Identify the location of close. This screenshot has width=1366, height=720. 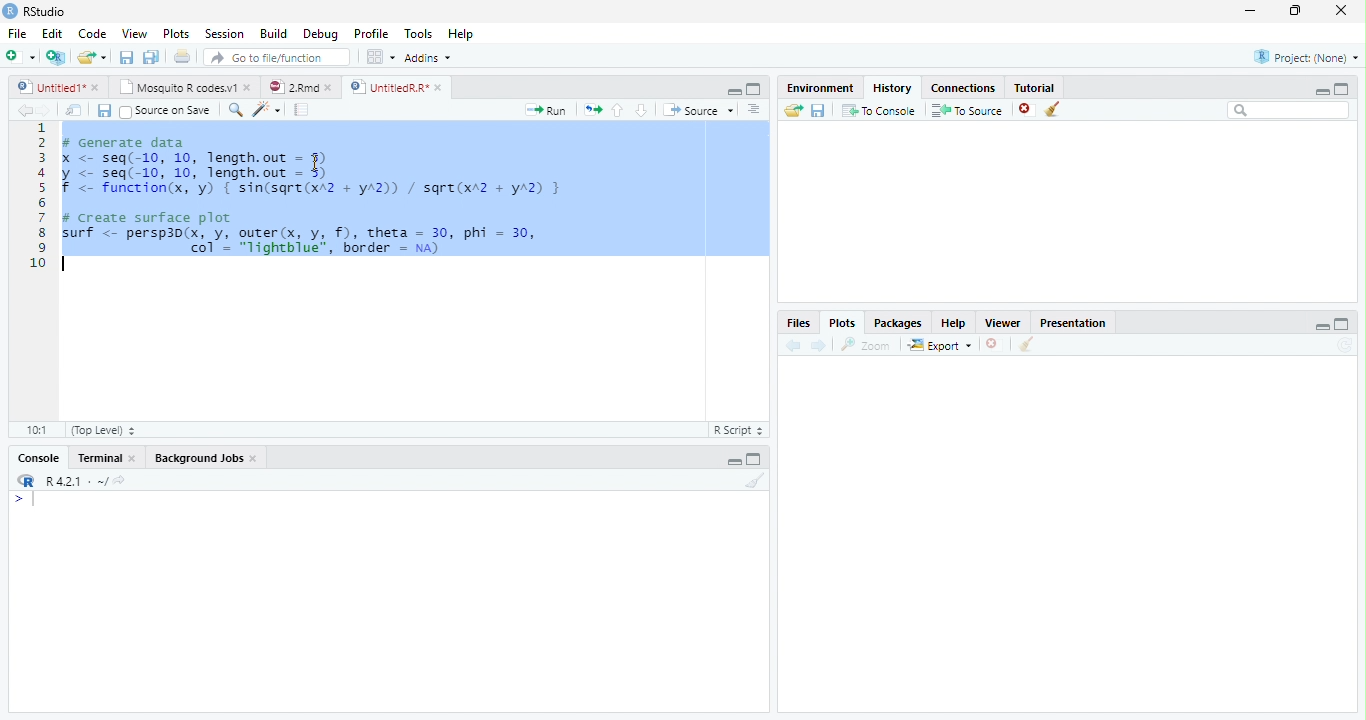
(96, 87).